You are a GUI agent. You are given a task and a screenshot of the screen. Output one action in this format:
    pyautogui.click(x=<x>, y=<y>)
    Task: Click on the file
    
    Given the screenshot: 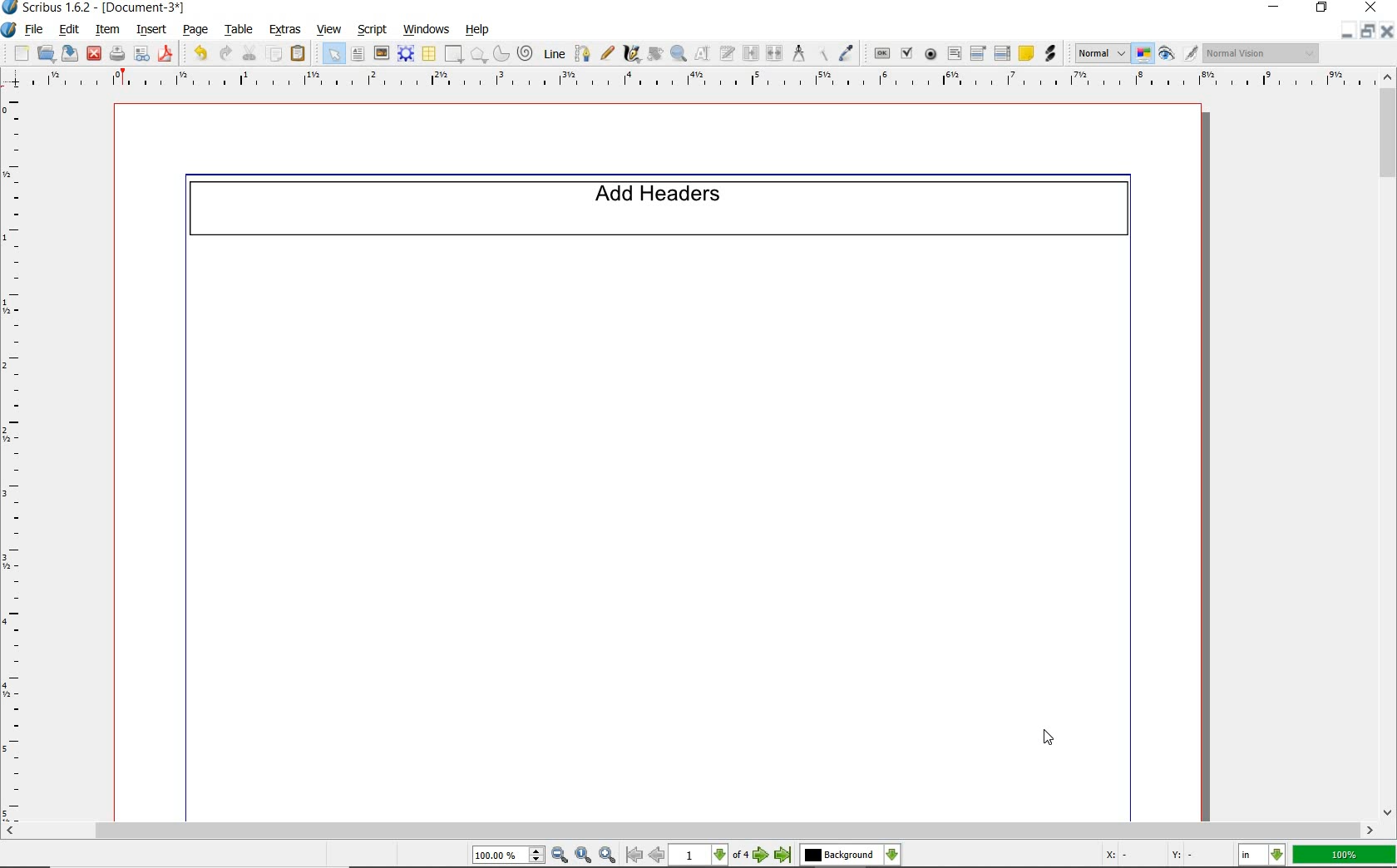 What is the action you would take?
    pyautogui.click(x=37, y=30)
    